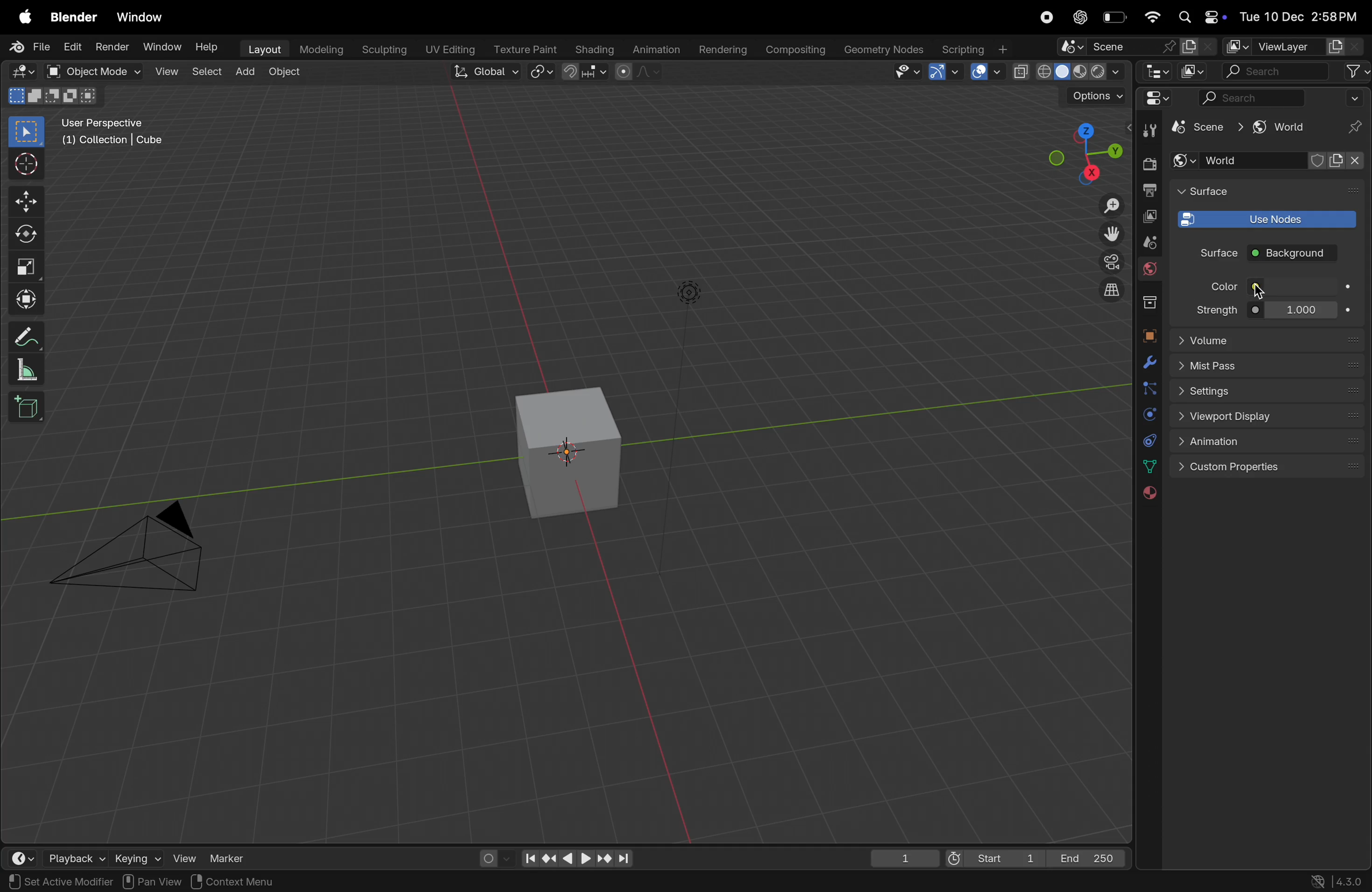  Describe the element at coordinates (639, 74) in the screenshot. I see `proportinal editing objects` at that location.